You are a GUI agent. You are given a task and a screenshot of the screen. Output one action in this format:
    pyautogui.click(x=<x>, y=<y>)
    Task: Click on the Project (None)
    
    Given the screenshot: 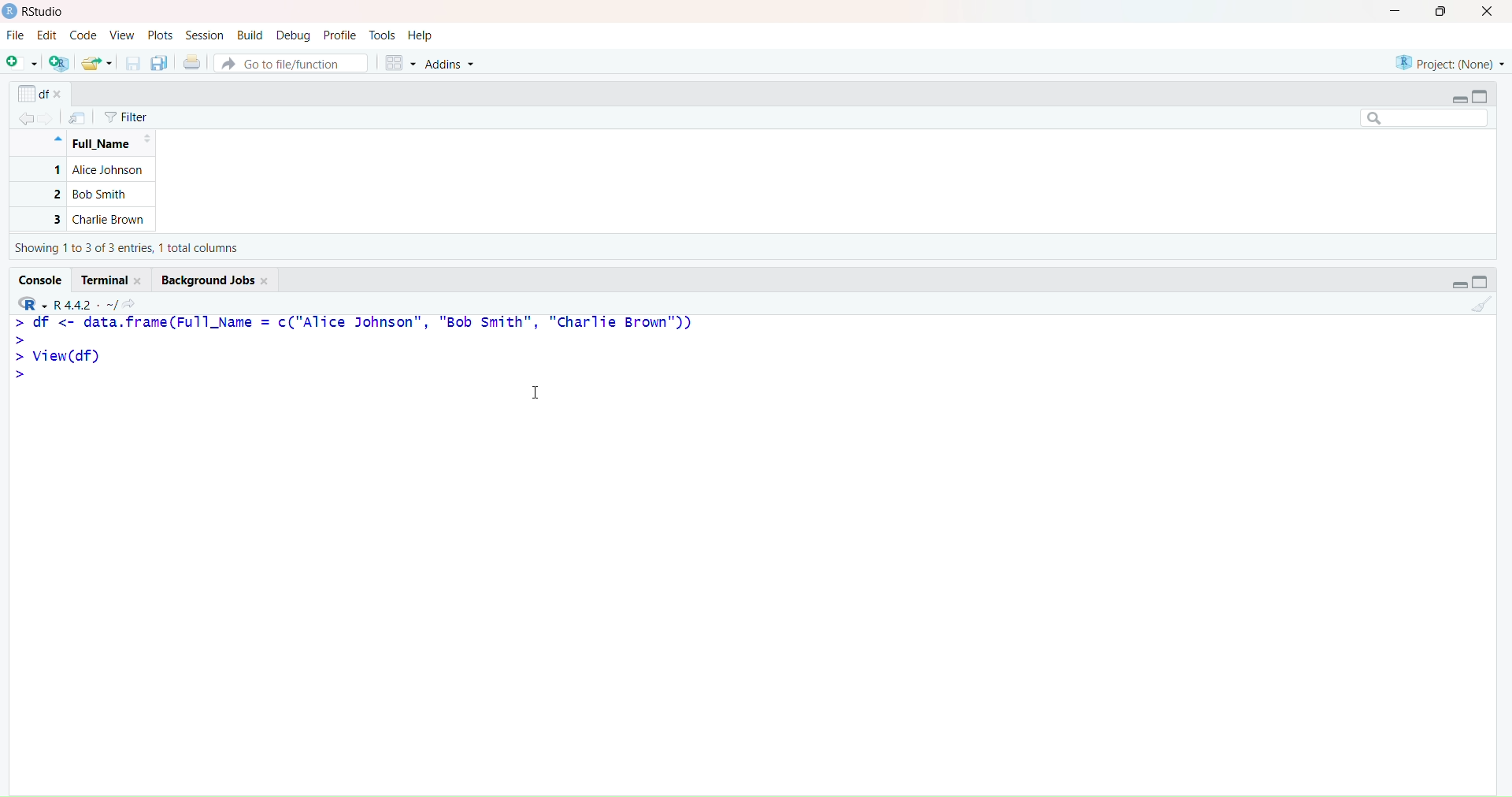 What is the action you would take?
    pyautogui.click(x=1449, y=57)
    